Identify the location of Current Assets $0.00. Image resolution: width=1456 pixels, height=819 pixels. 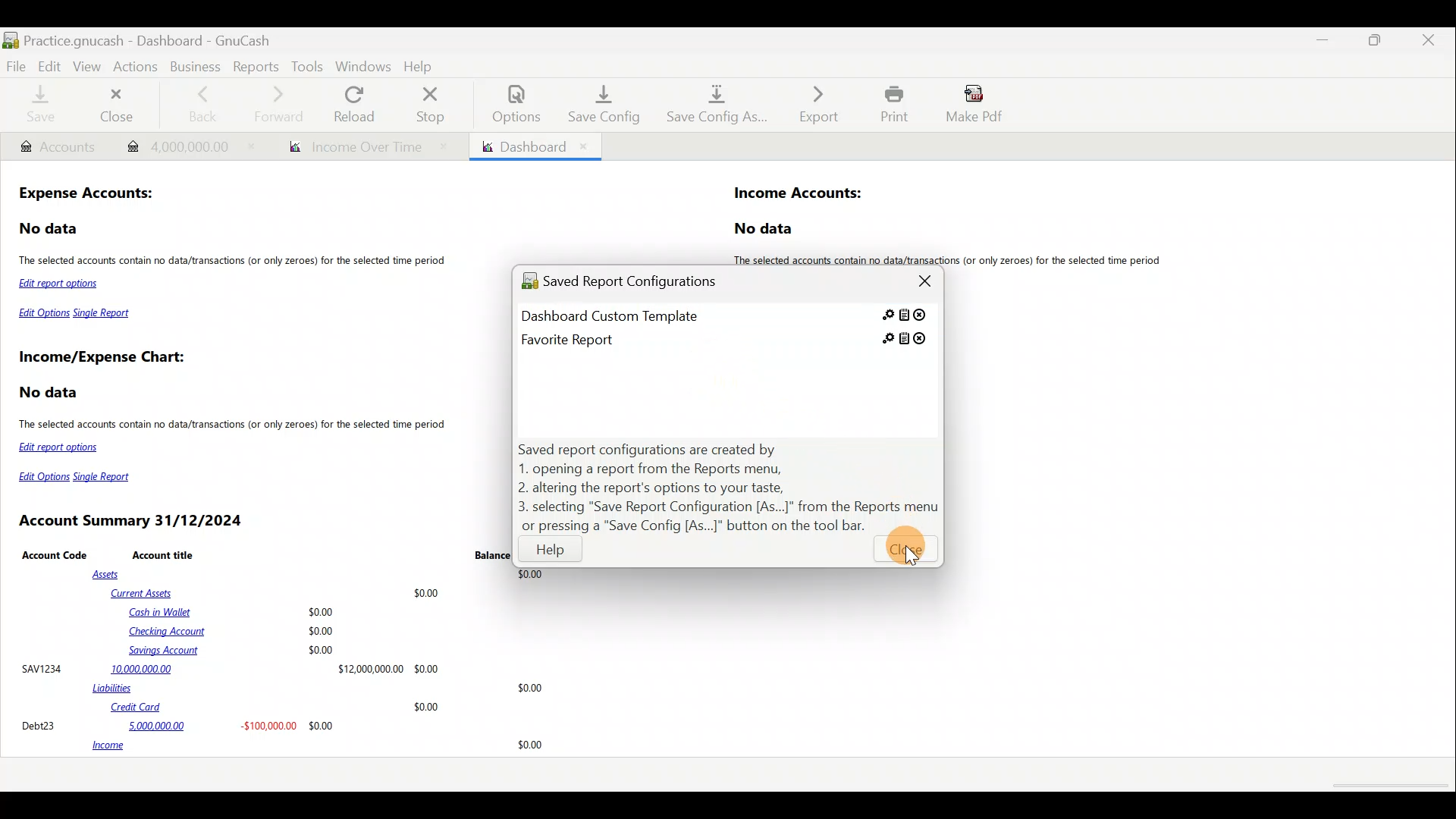
(278, 592).